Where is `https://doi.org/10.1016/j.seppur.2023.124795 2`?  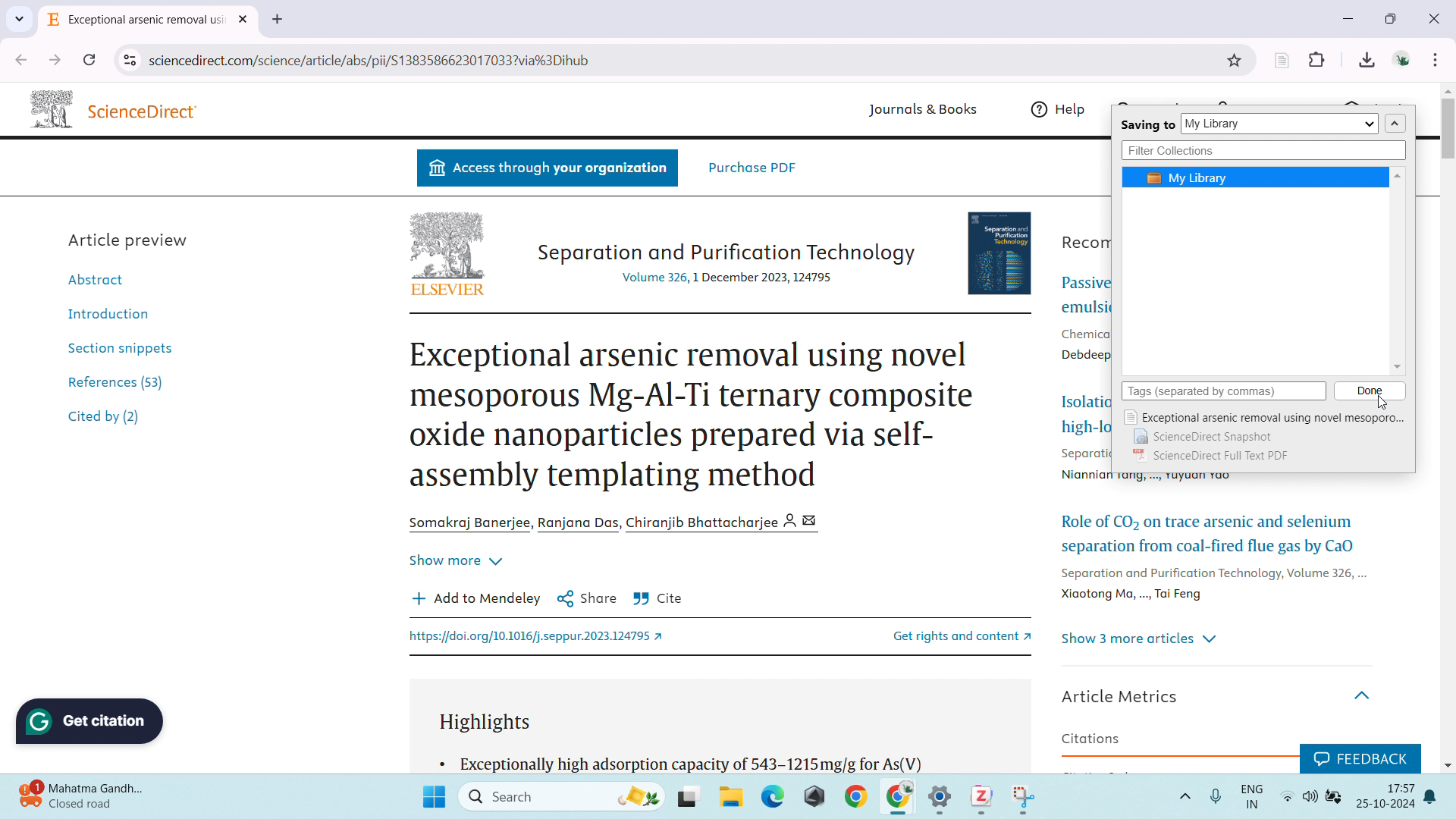 https://doi.org/10.1016/j.seppur.2023.124795 2 is located at coordinates (541, 638).